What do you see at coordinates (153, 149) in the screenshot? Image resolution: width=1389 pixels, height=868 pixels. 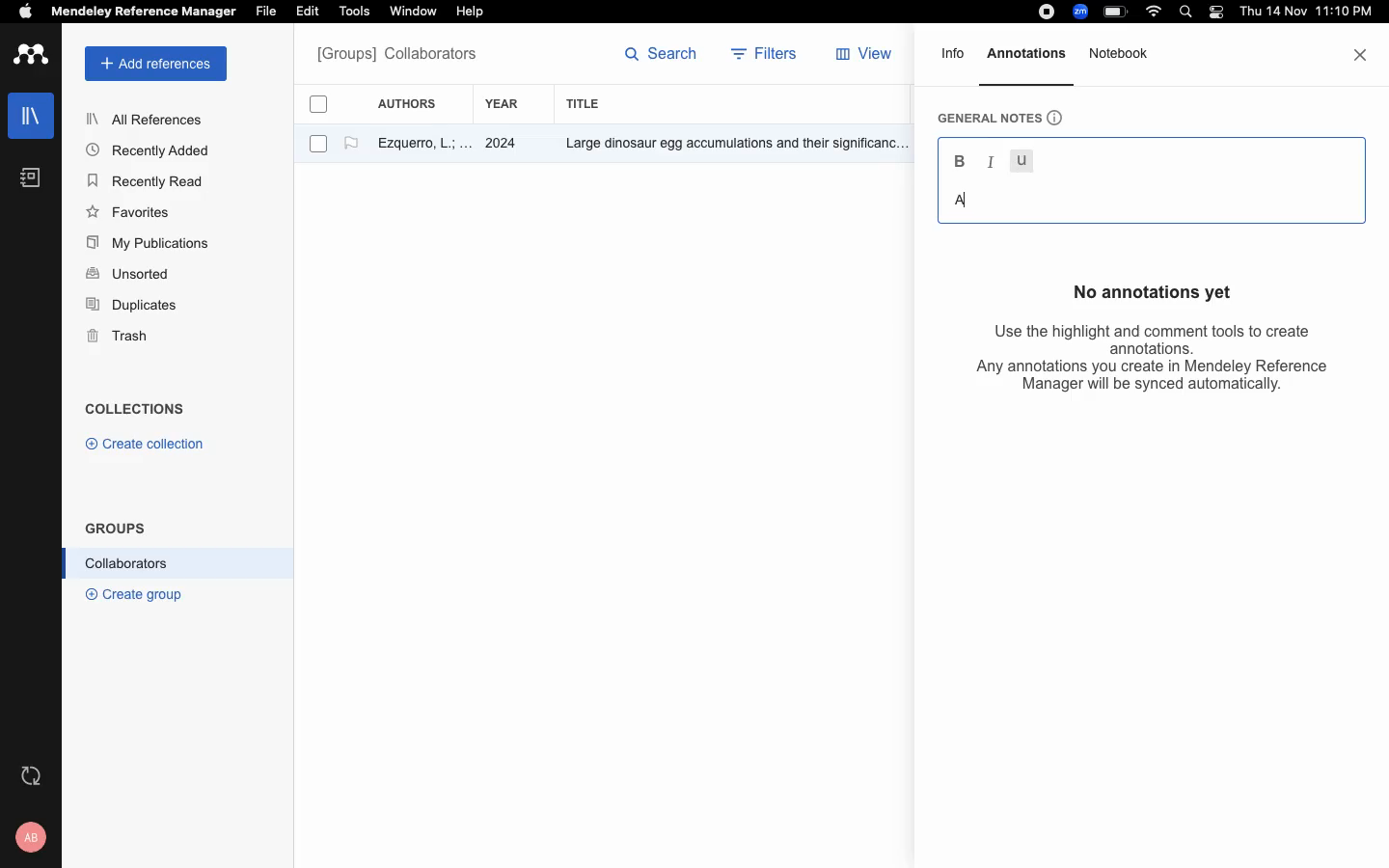 I see `Recently Added` at bounding box center [153, 149].